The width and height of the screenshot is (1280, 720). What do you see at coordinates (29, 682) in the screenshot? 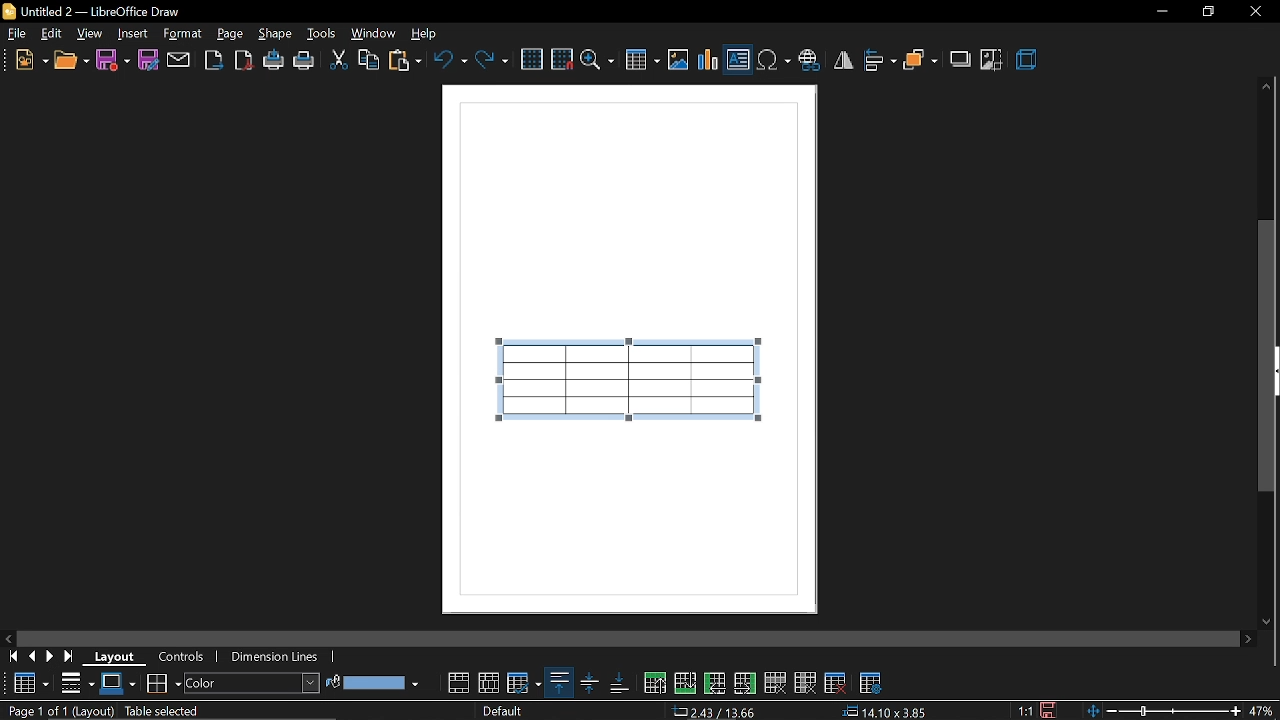
I see `Table` at bounding box center [29, 682].